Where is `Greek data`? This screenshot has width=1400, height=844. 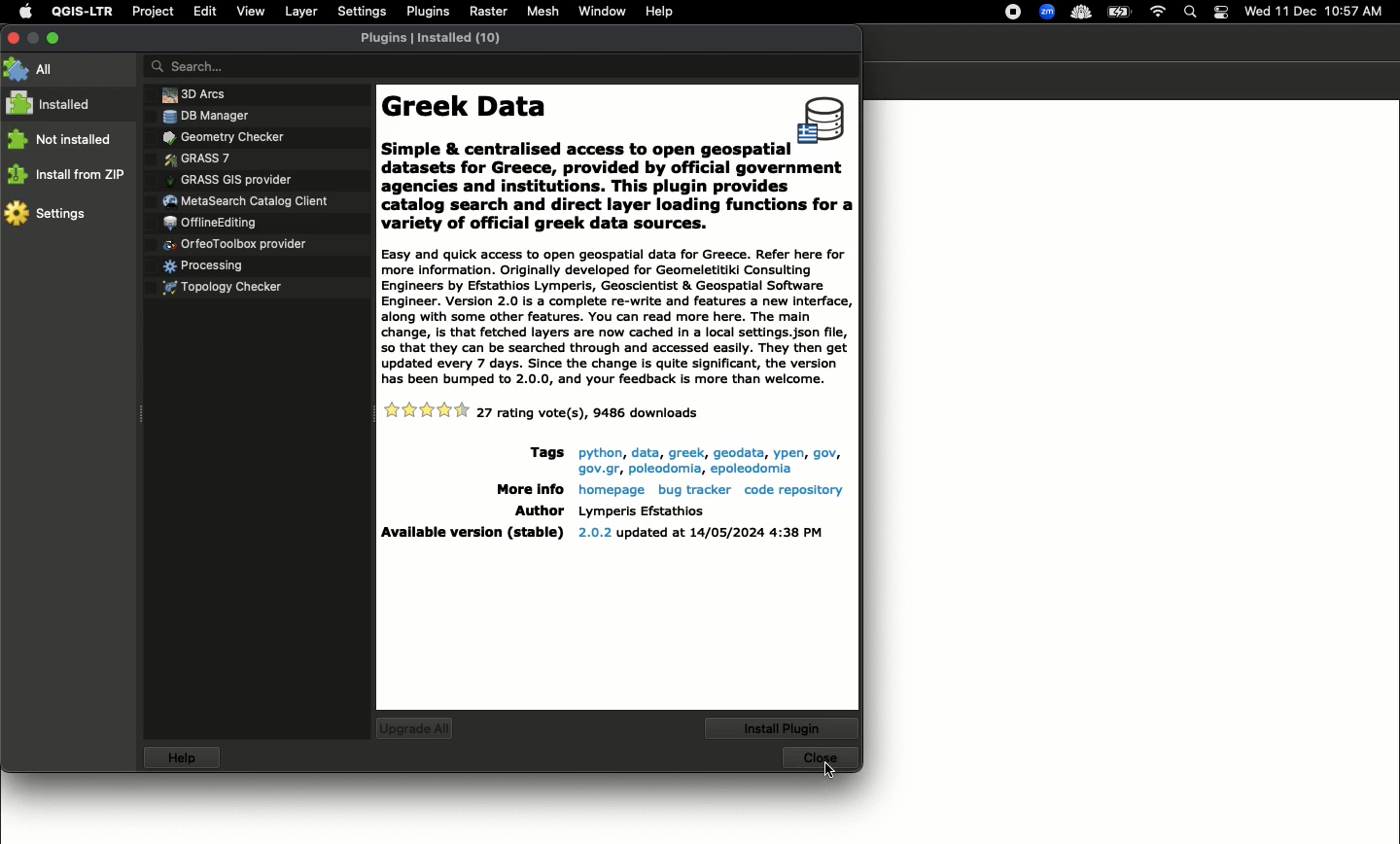
Greek data is located at coordinates (618, 200).